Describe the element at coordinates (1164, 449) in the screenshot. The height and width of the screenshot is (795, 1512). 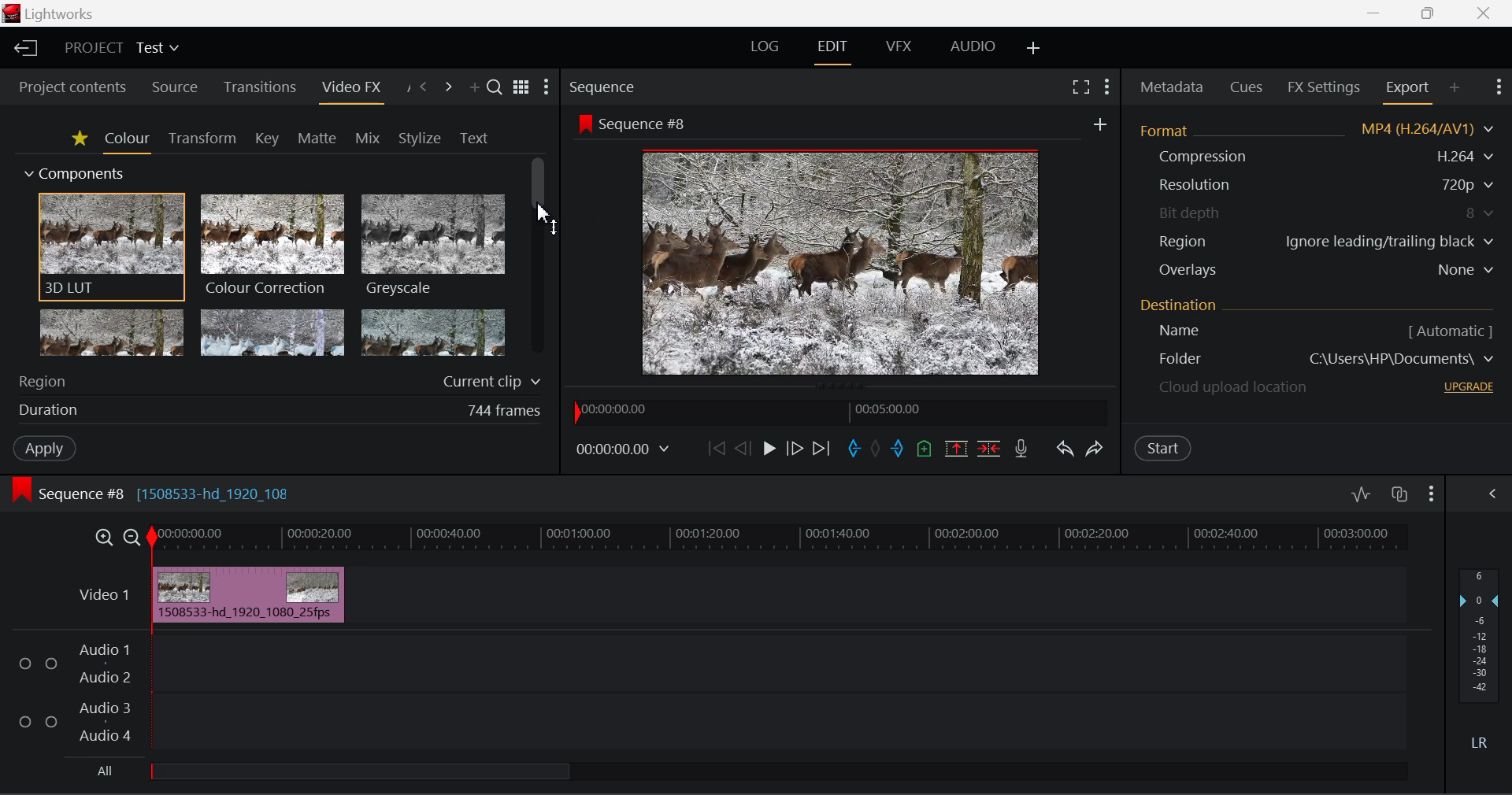
I see `Start` at that location.